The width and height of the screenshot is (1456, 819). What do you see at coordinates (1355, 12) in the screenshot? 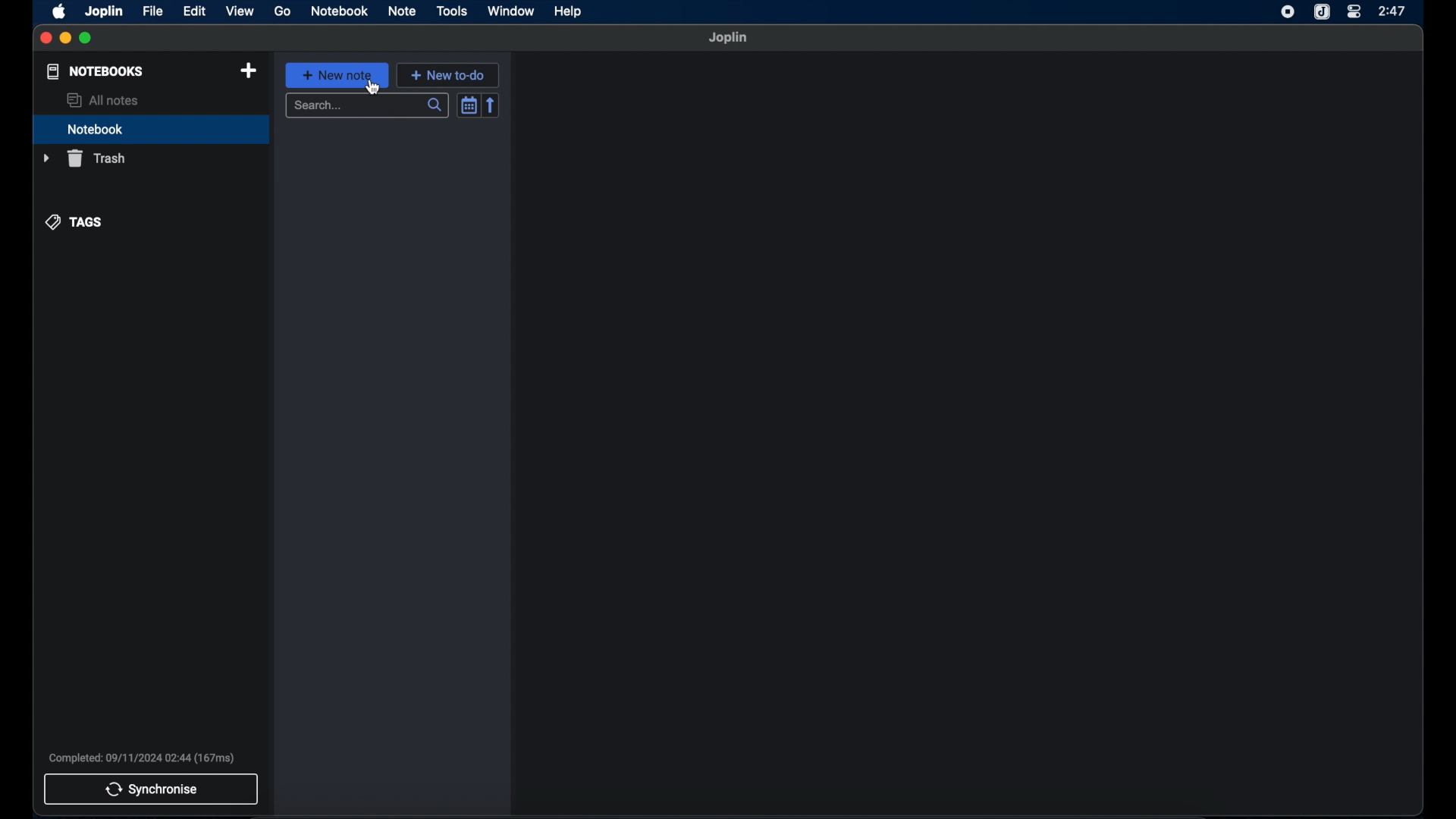
I see `control center` at bounding box center [1355, 12].